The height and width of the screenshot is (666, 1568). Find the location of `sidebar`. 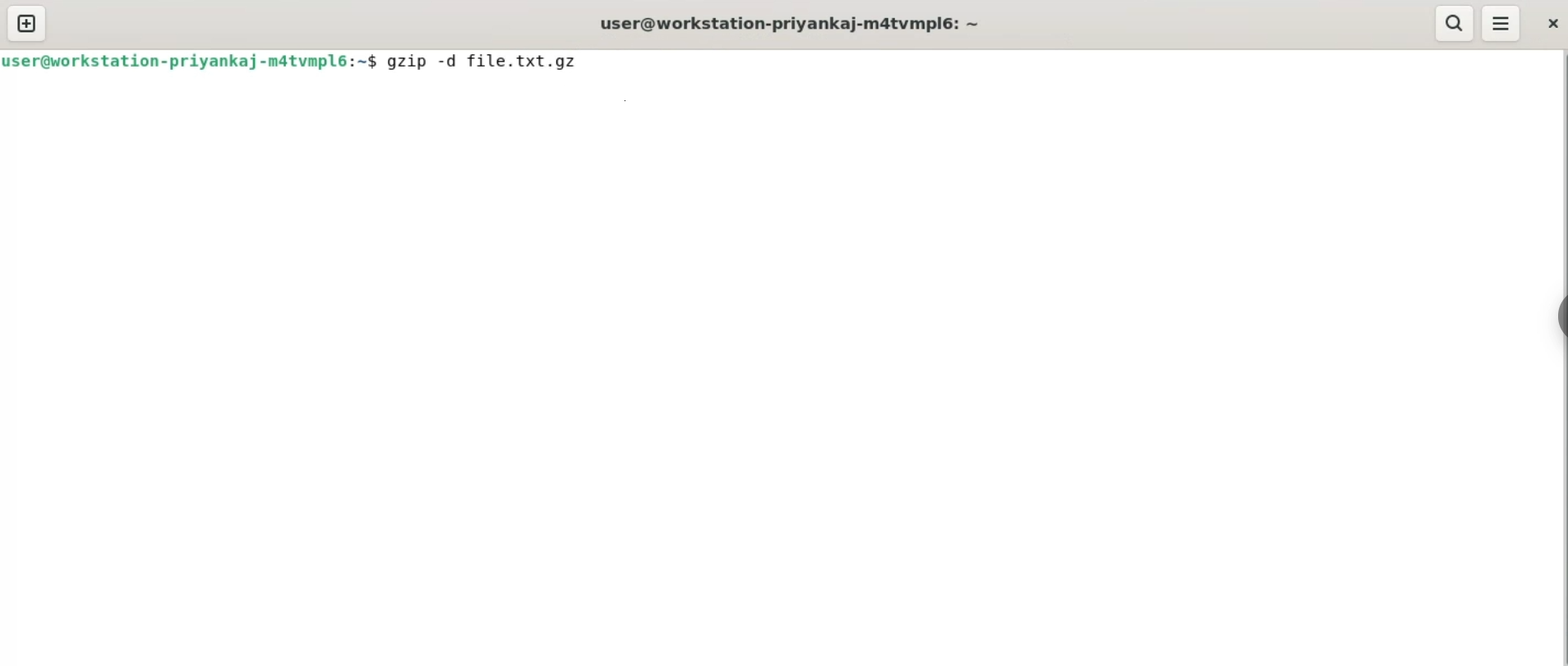

sidebar is located at coordinates (1560, 317).